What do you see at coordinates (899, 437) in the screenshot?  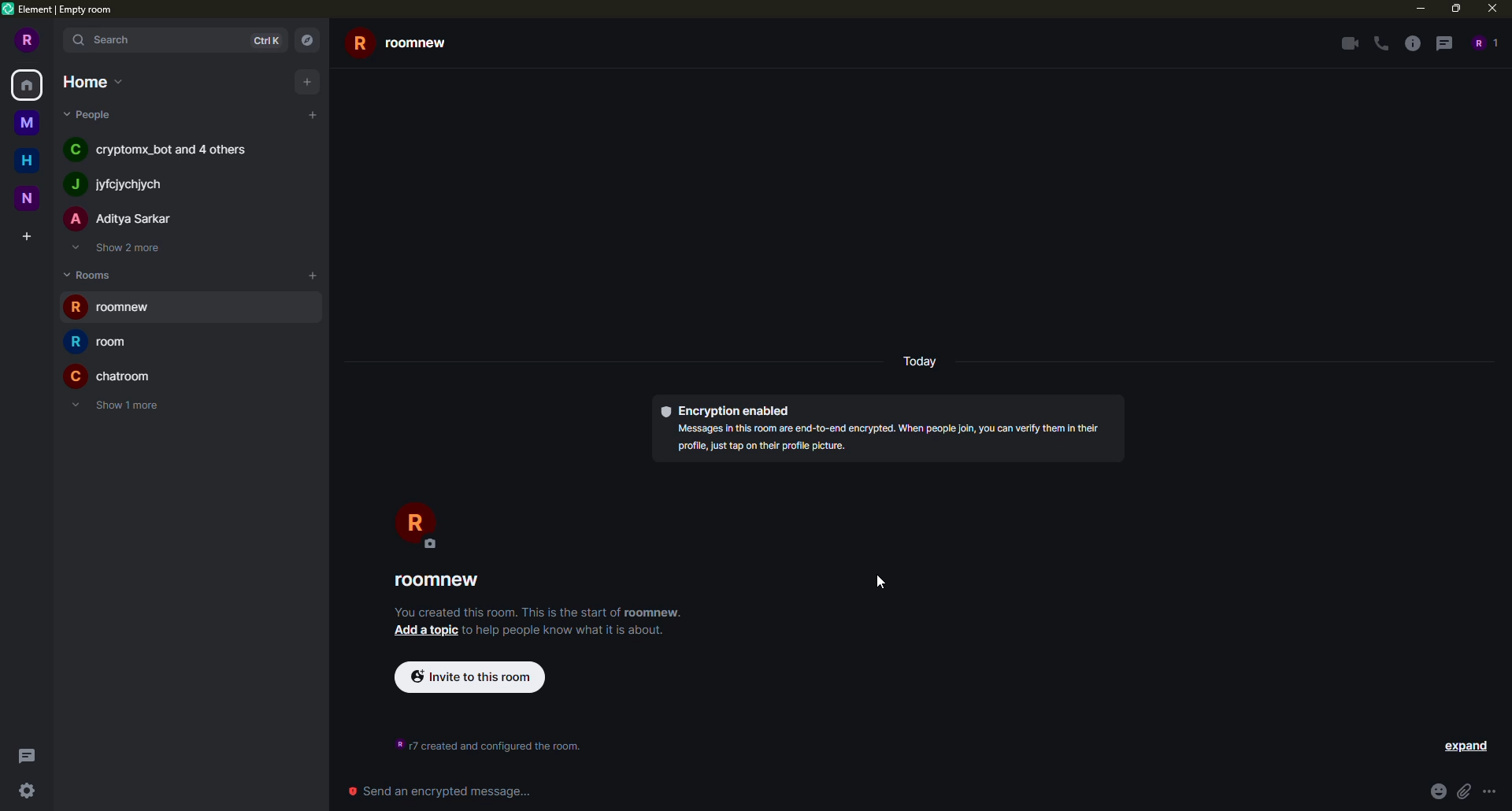 I see `info` at bounding box center [899, 437].